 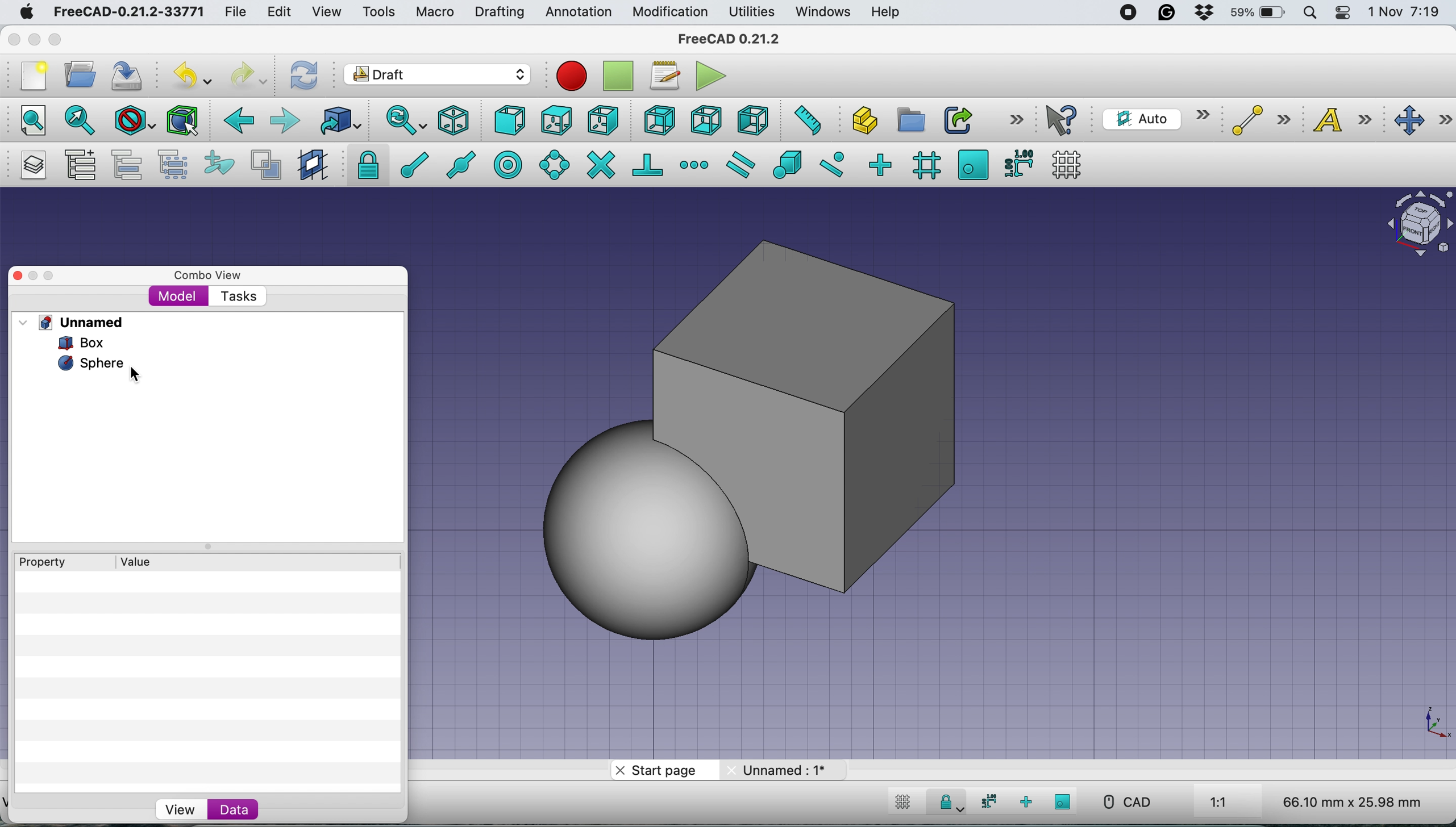 I want to click on bounding box, so click(x=181, y=120).